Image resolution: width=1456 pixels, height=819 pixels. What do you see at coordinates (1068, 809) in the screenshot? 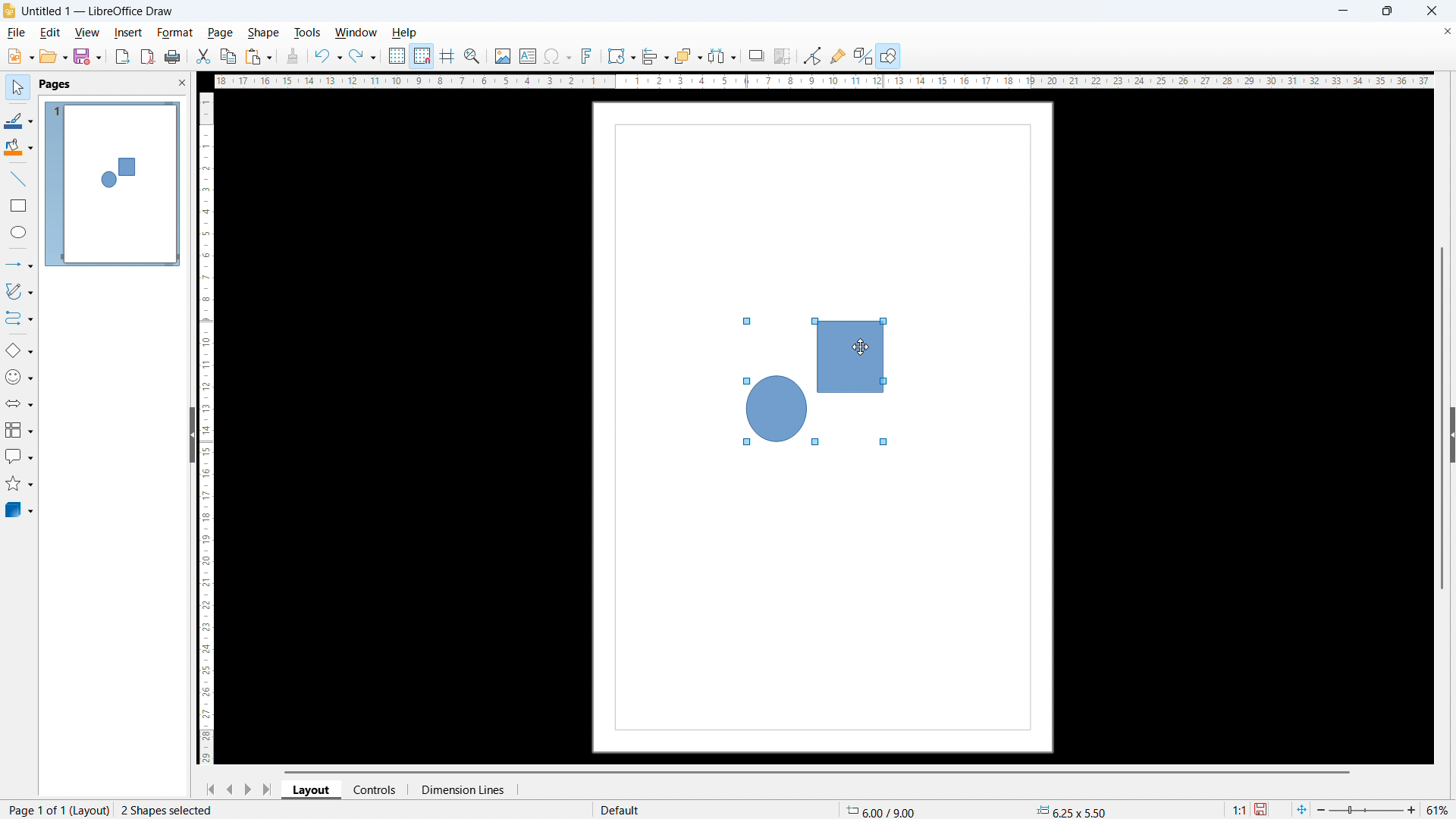
I see `object dimension` at bounding box center [1068, 809].